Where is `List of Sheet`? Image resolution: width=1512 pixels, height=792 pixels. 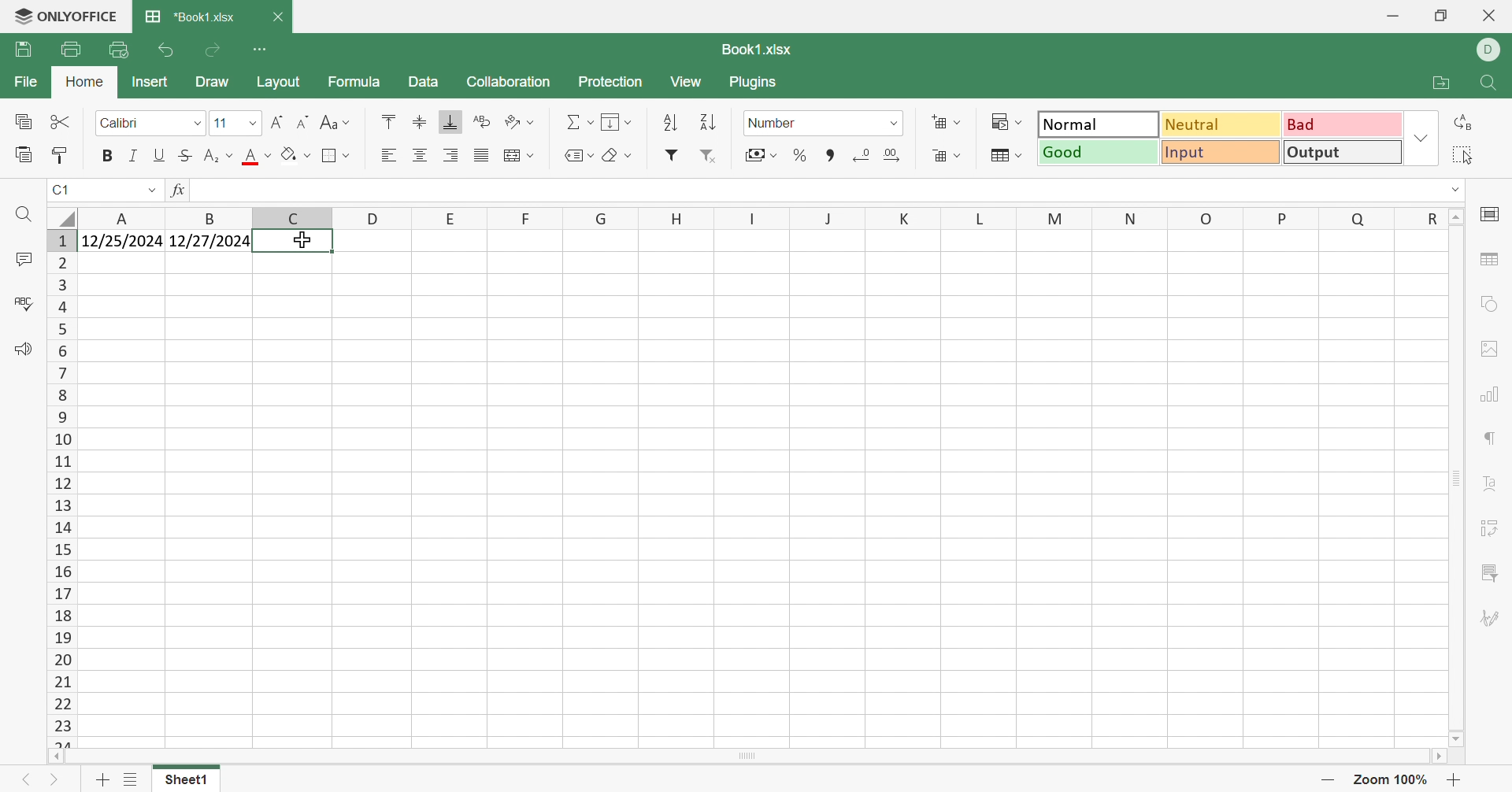
List of Sheet is located at coordinates (130, 780).